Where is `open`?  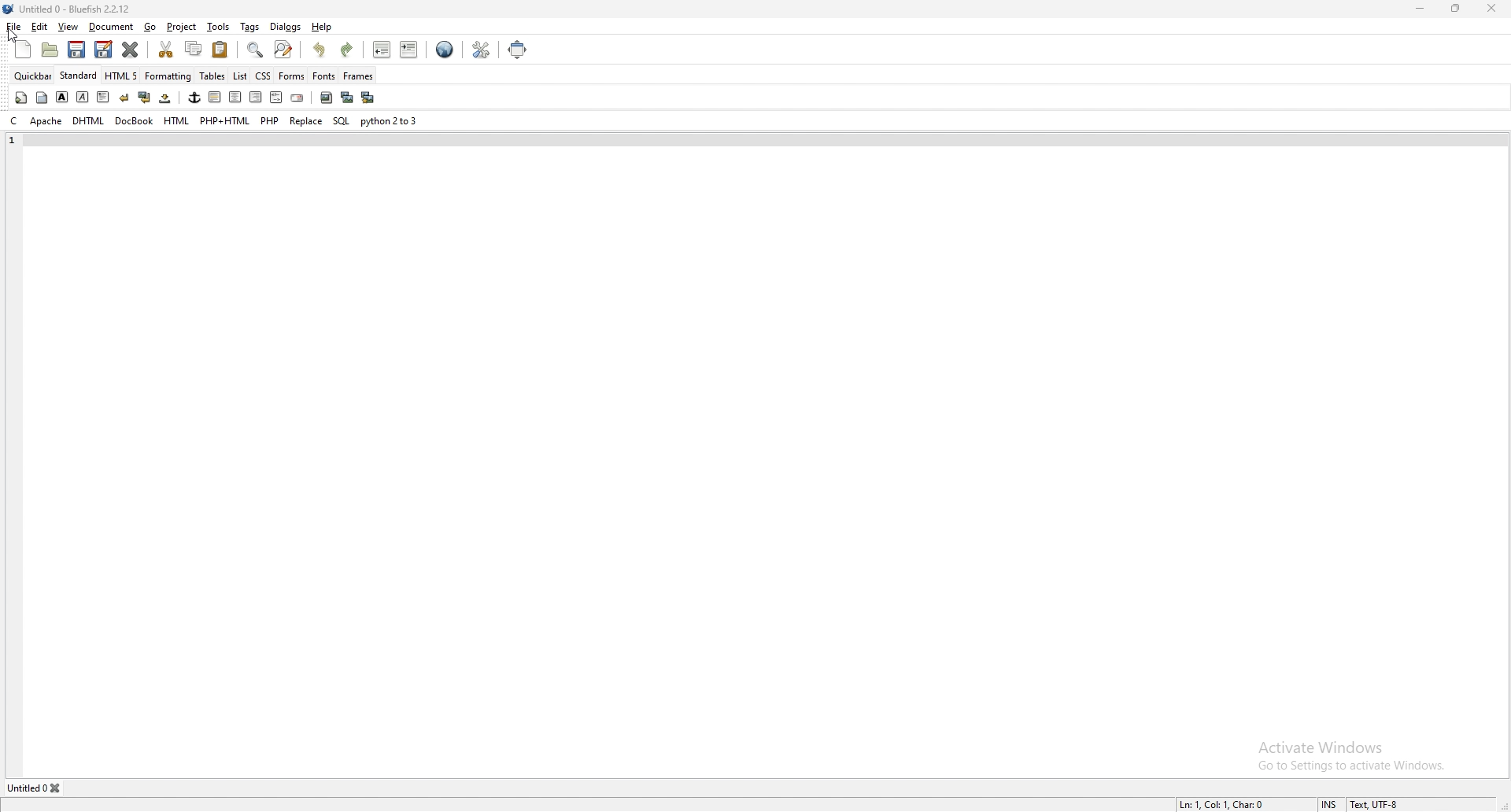
open is located at coordinates (50, 50).